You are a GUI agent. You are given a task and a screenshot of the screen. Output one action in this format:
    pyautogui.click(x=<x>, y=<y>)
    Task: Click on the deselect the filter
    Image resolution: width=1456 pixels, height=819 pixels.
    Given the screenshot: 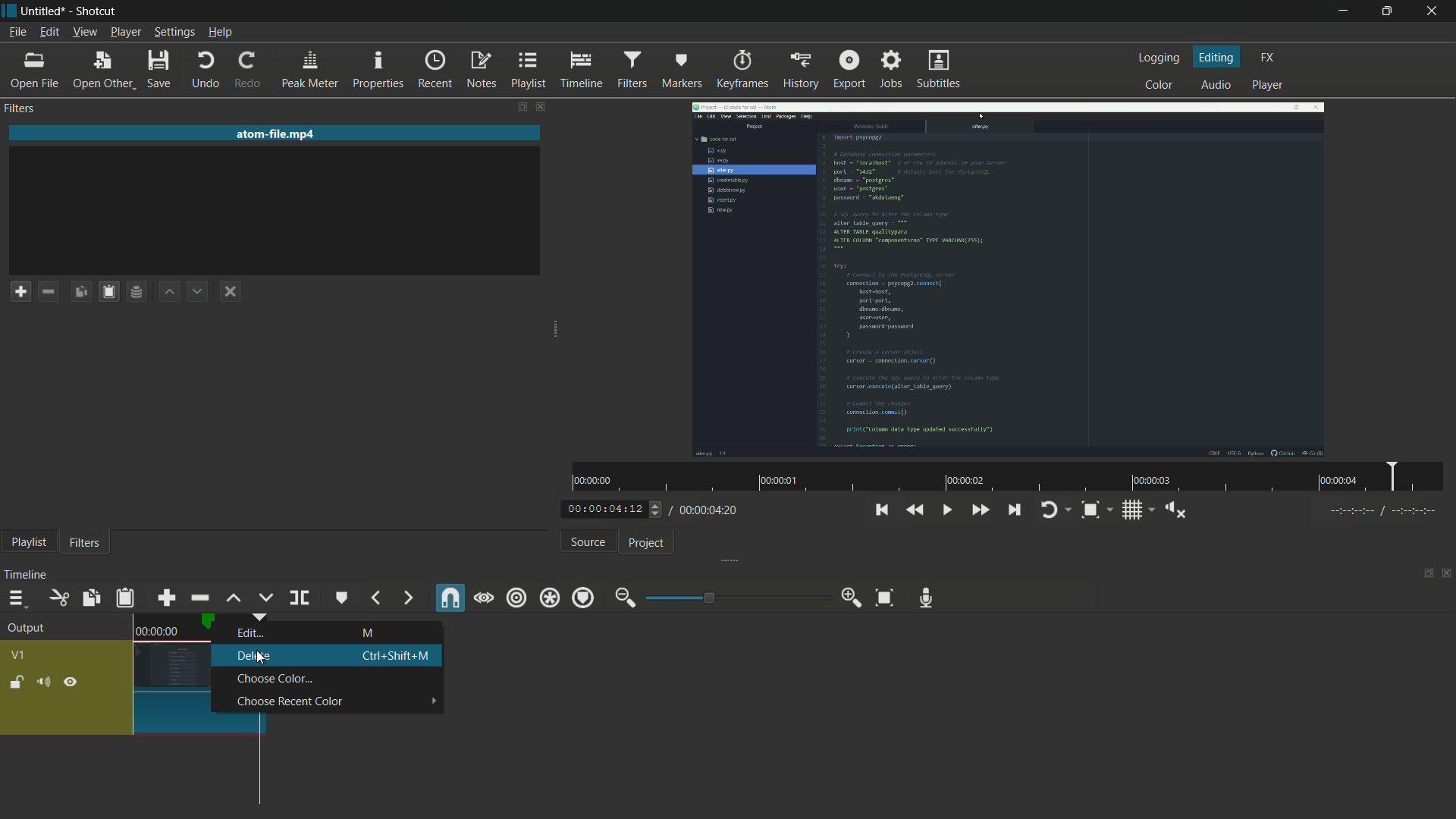 What is the action you would take?
    pyautogui.click(x=231, y=292)
    